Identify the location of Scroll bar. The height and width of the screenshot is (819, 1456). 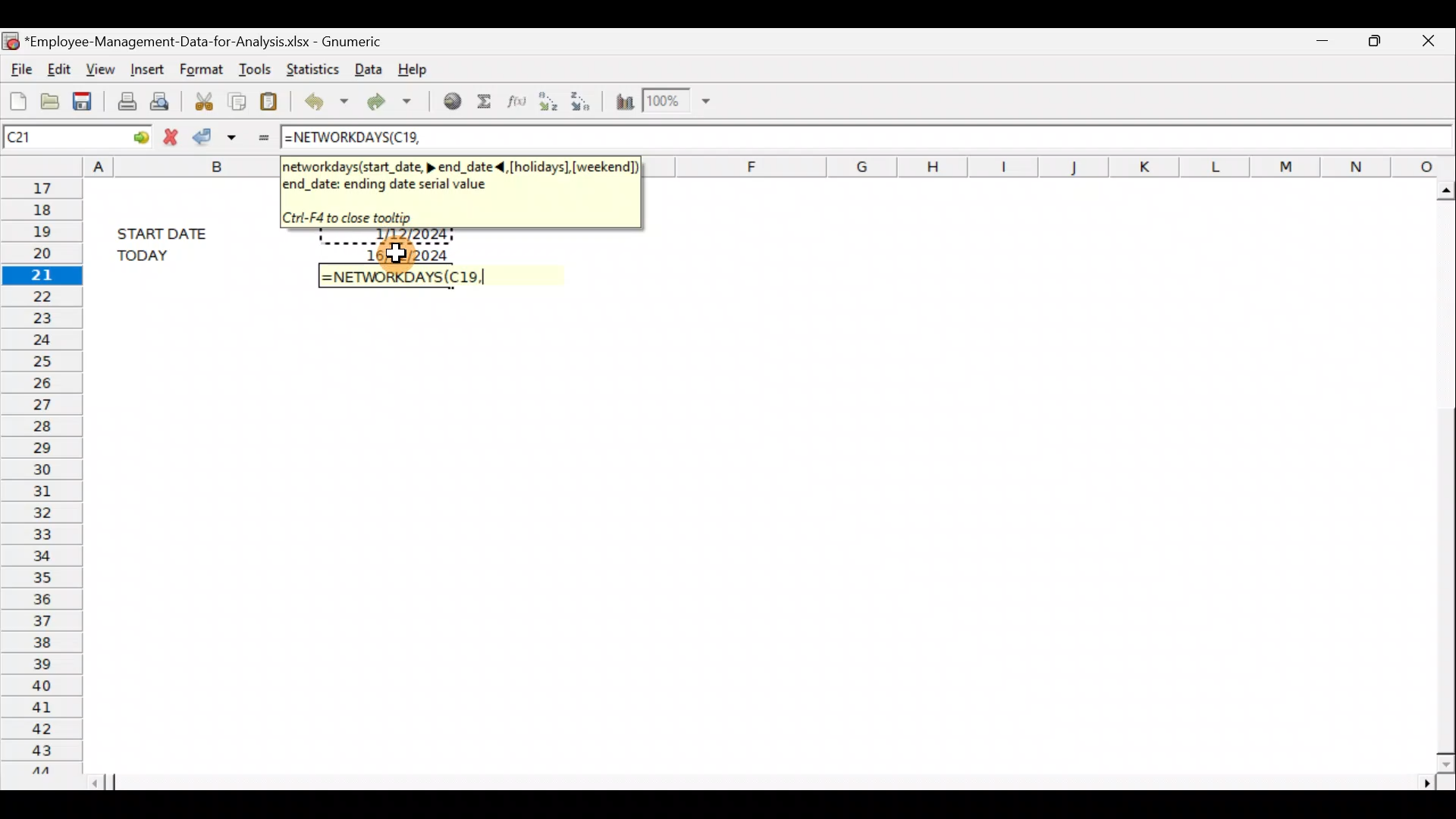
(1439, 472).